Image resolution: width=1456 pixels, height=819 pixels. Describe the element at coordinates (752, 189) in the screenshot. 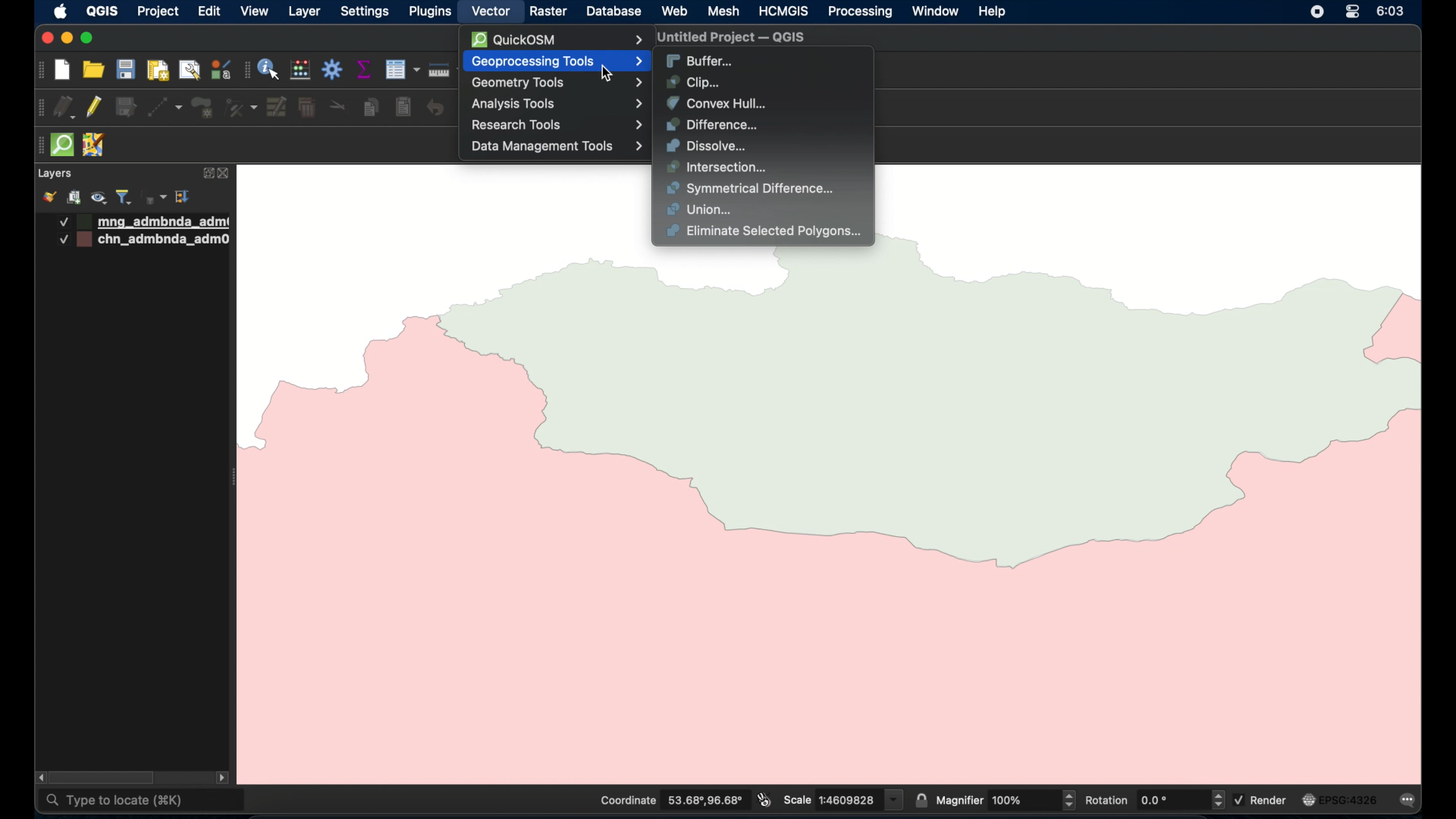

I see `symmetrical` at that location.